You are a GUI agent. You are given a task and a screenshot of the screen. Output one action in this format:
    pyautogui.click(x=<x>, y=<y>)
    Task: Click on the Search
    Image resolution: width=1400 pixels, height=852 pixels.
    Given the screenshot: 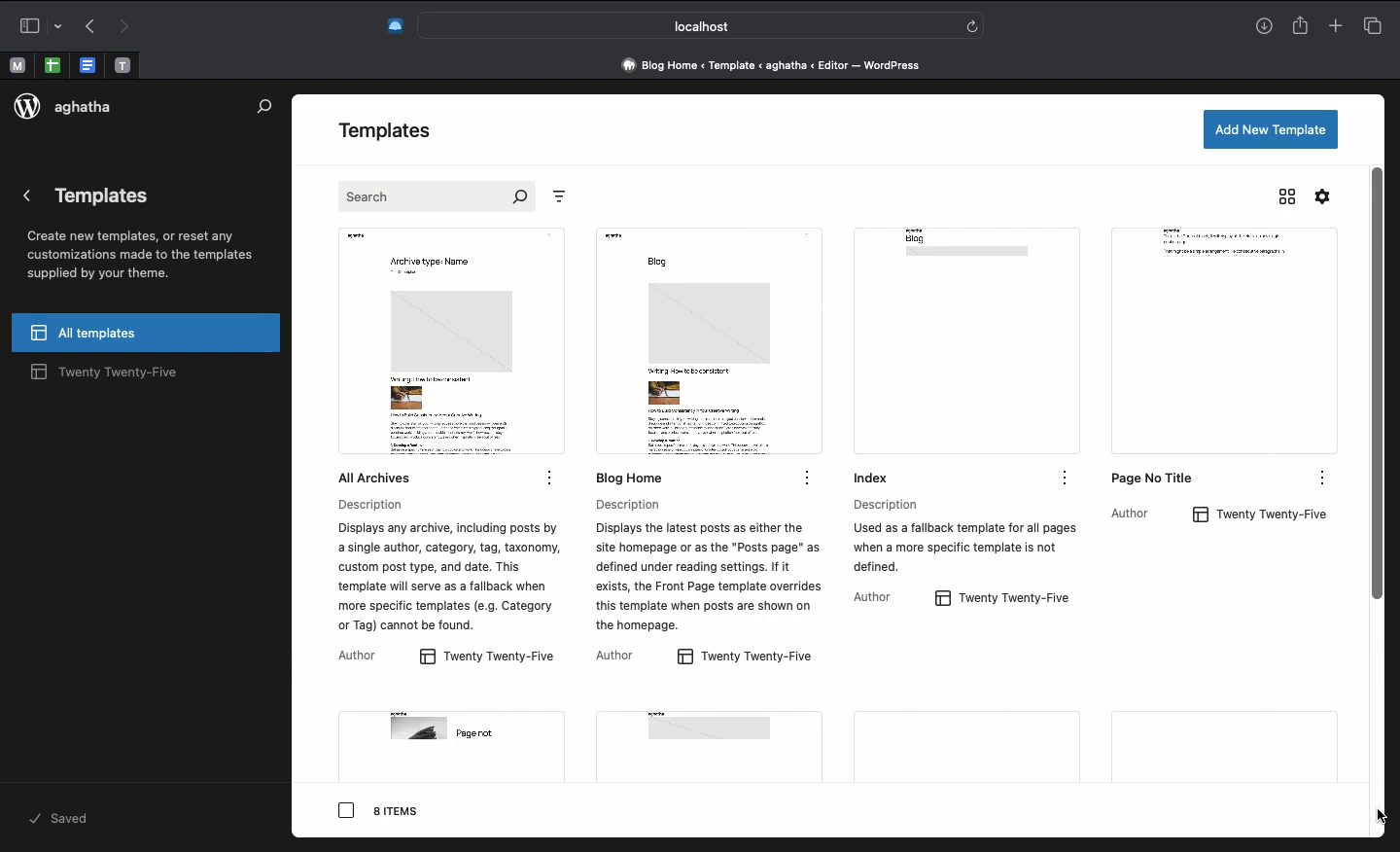 What is the action you would take?
    pyautogui.click(x=439, y=196)
    